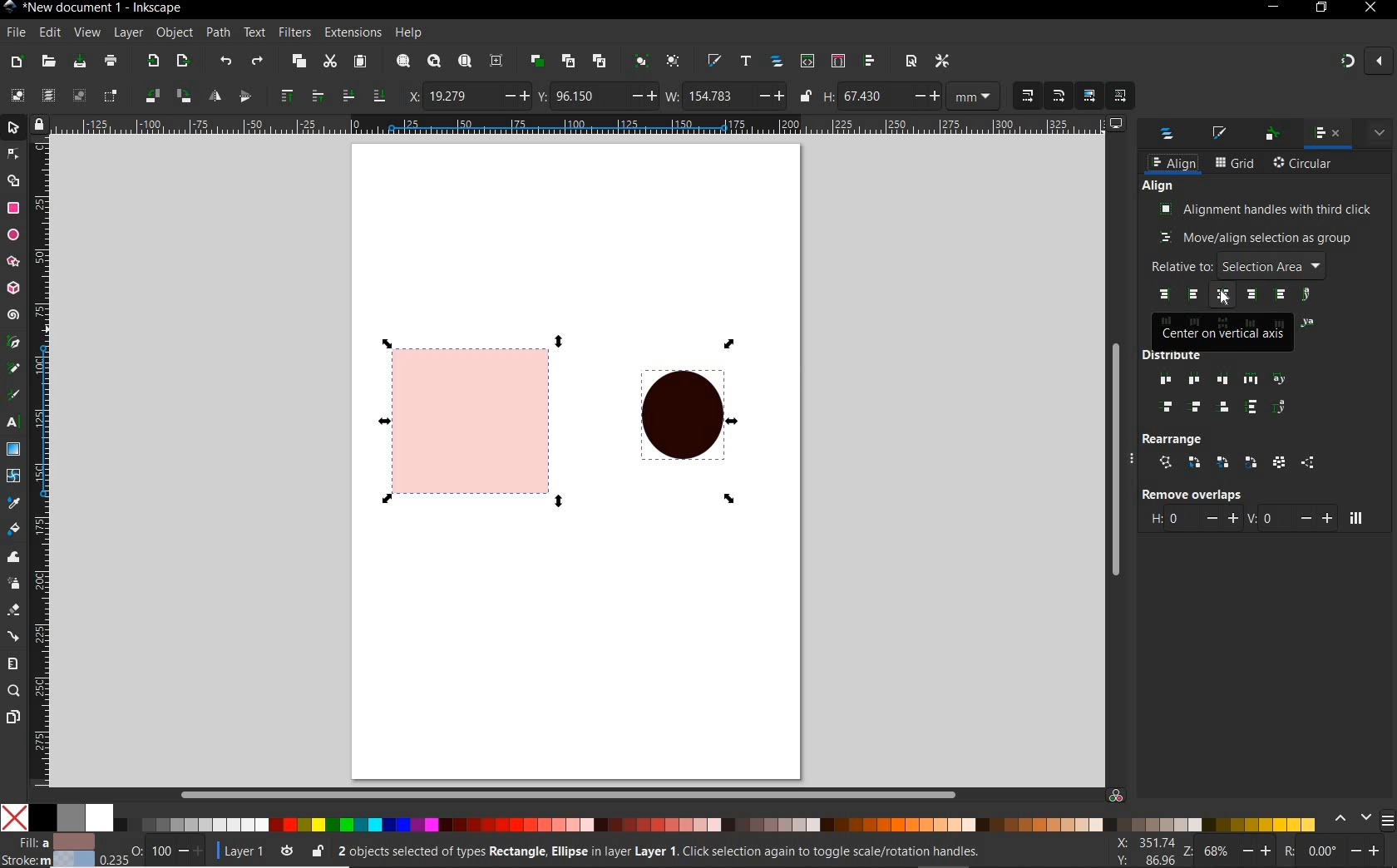 This screenshot has width=1397, height=868. What do you see at coordinates (942, 62) in the screenshot?
I see `open preferances` at bounding box center [942, 62].